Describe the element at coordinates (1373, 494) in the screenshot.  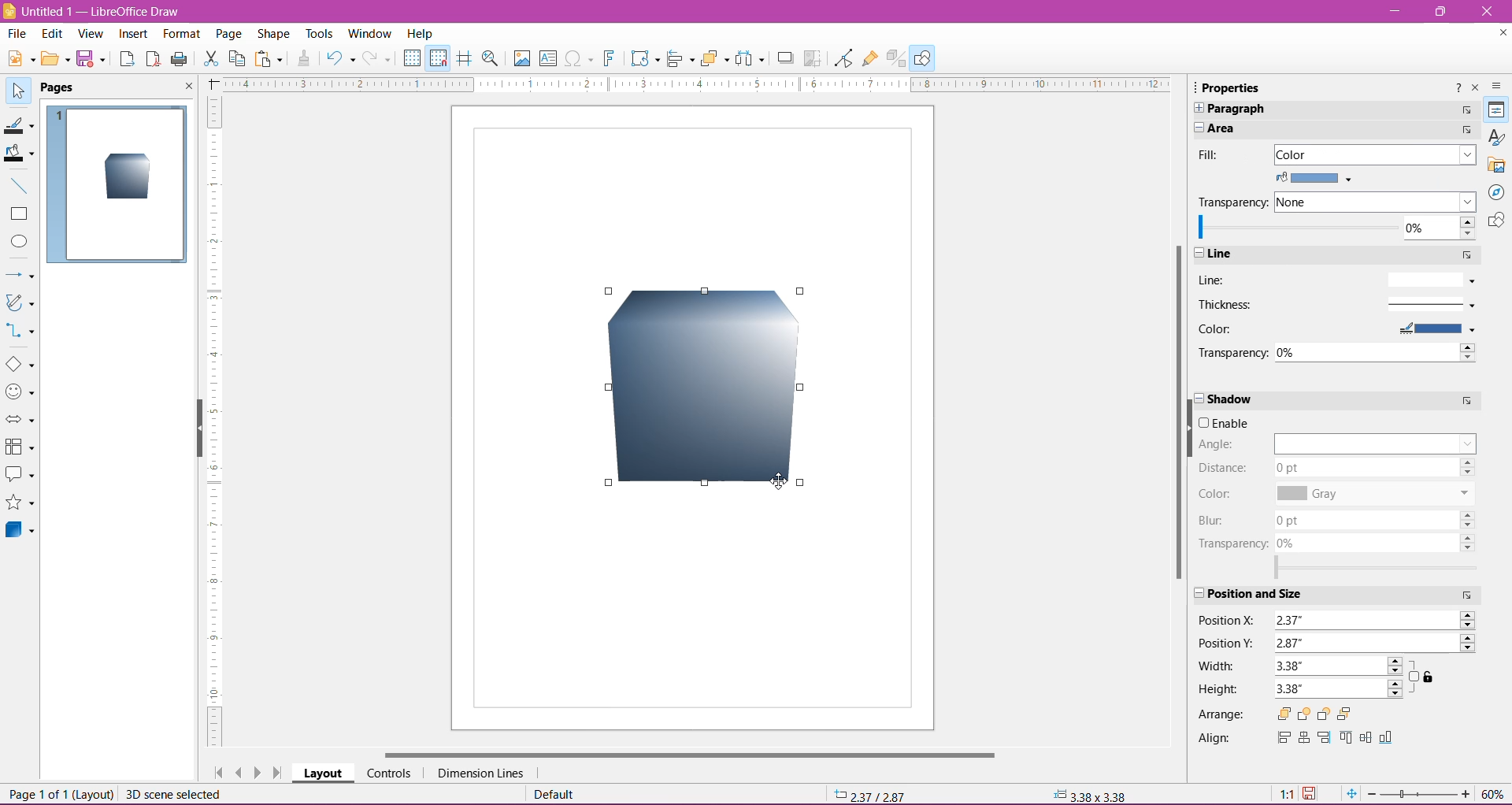
I see `Set Shadow color` at that location.